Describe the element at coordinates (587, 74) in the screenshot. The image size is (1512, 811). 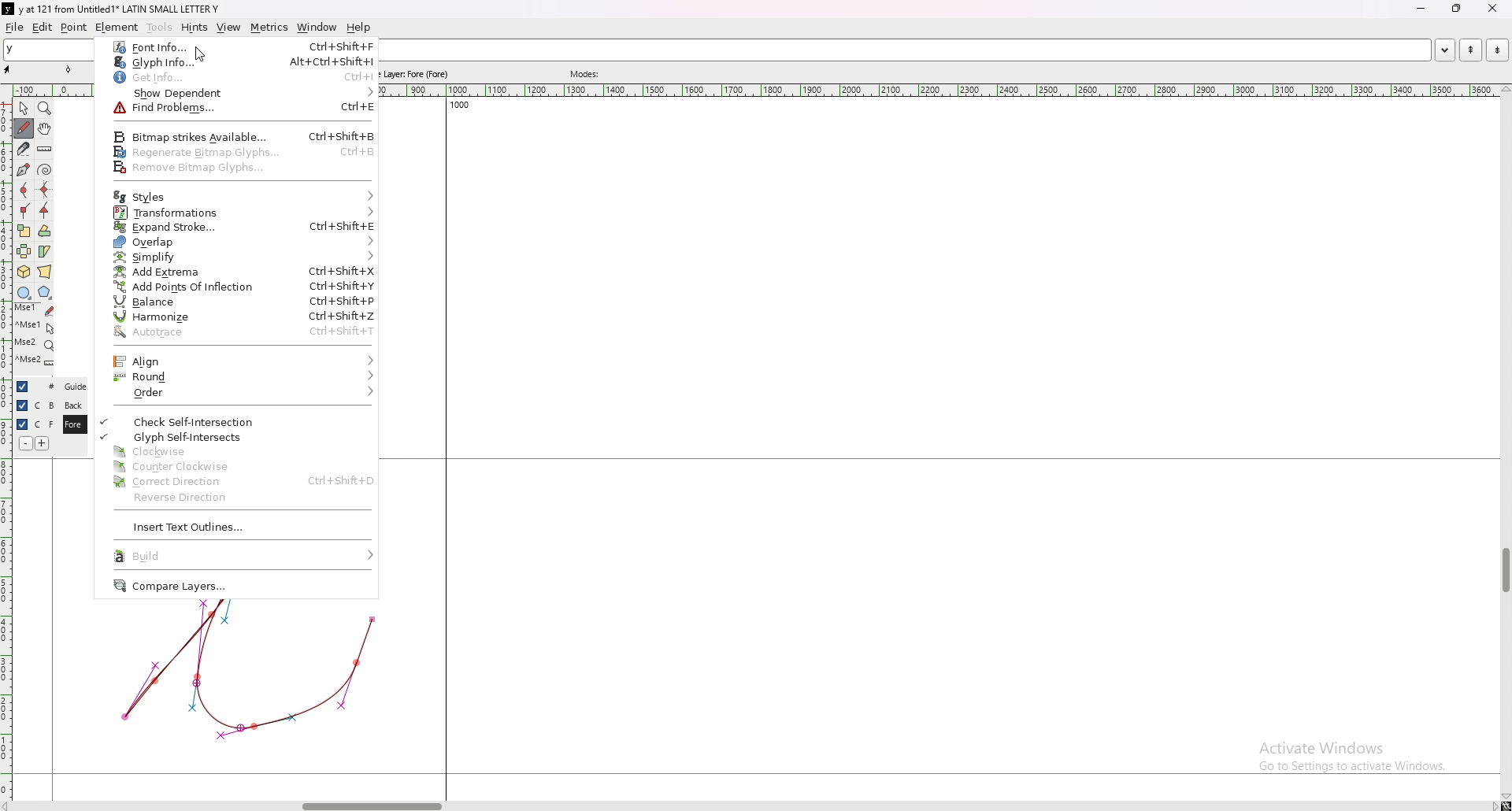
I see `modes` at that location.